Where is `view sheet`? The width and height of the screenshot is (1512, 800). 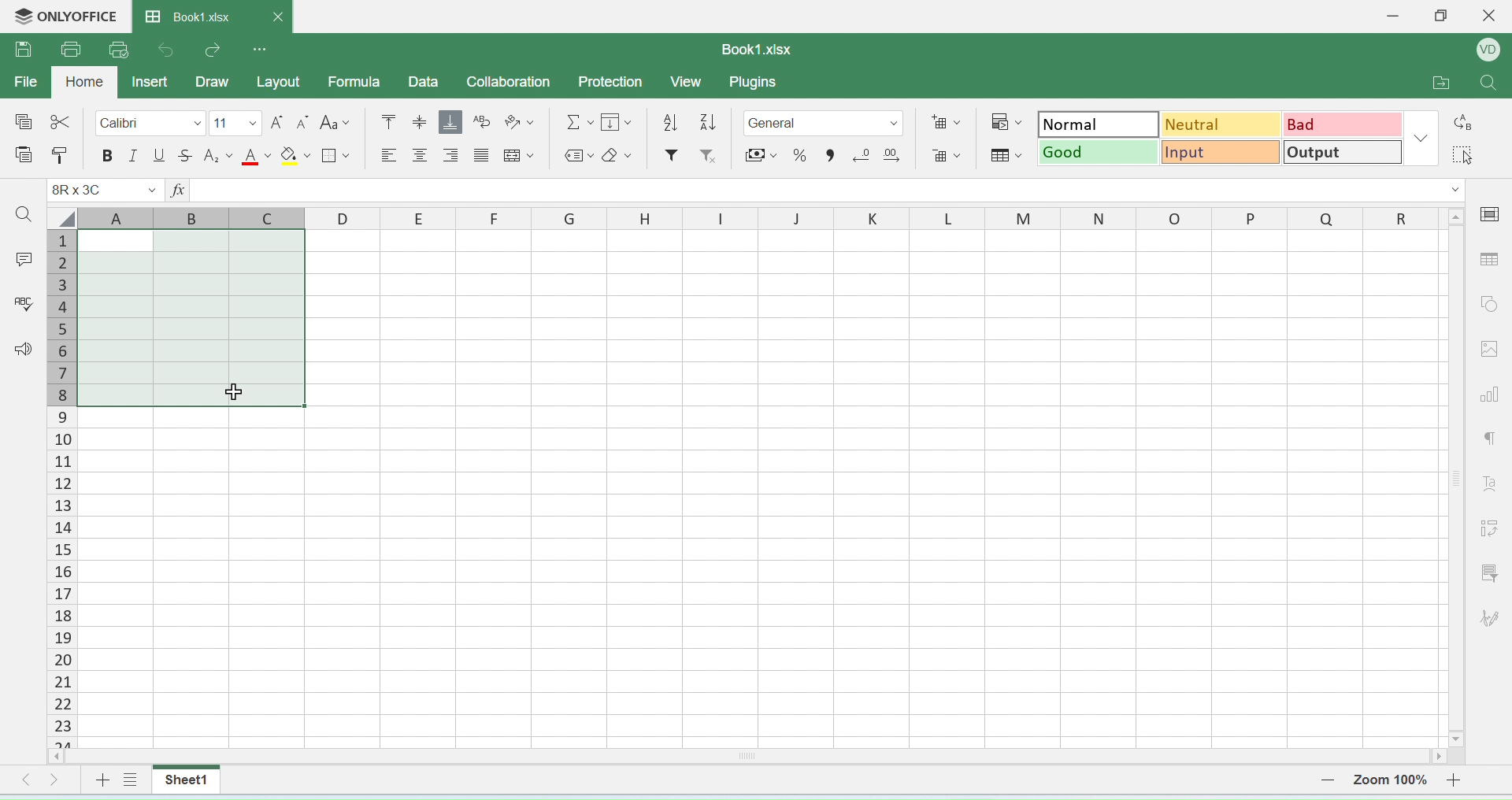
view sheet is located at coordinates (132, 782).